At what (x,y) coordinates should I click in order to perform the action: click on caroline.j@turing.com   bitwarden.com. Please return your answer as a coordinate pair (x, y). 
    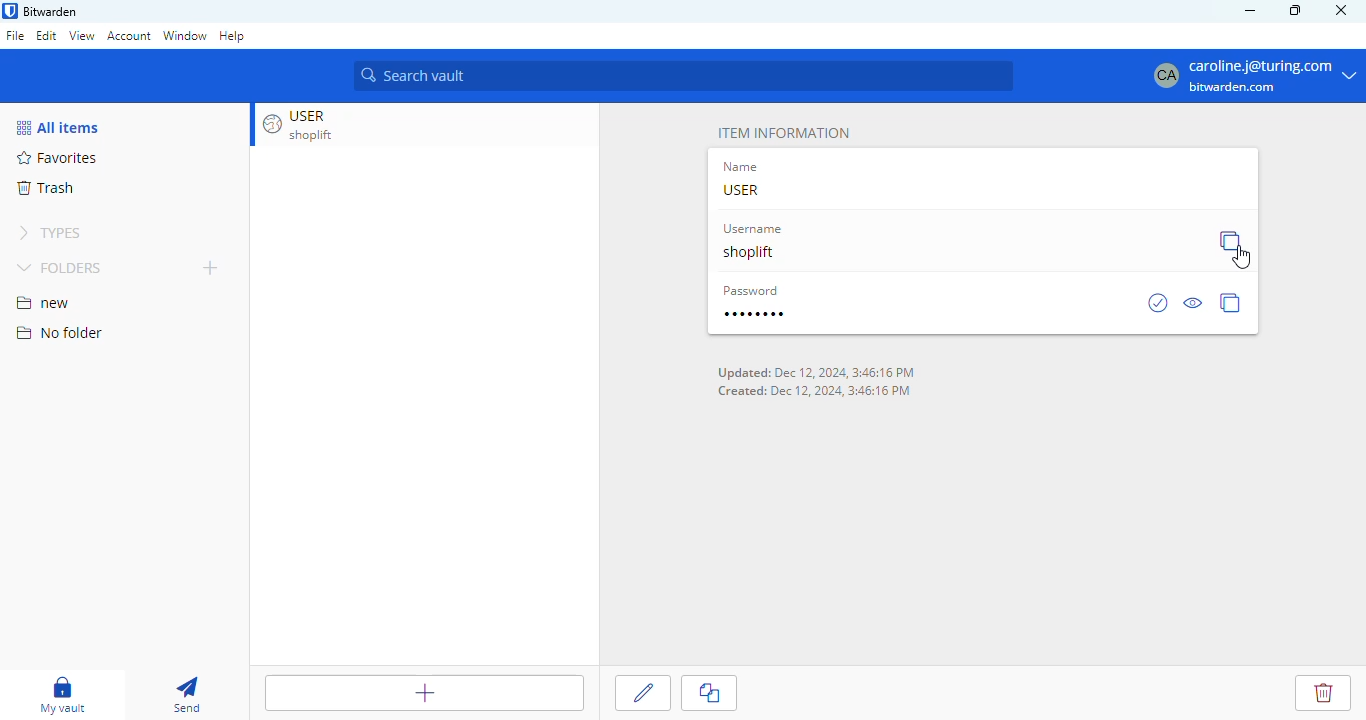
    Looking at the image, I should click on (1254, 76).